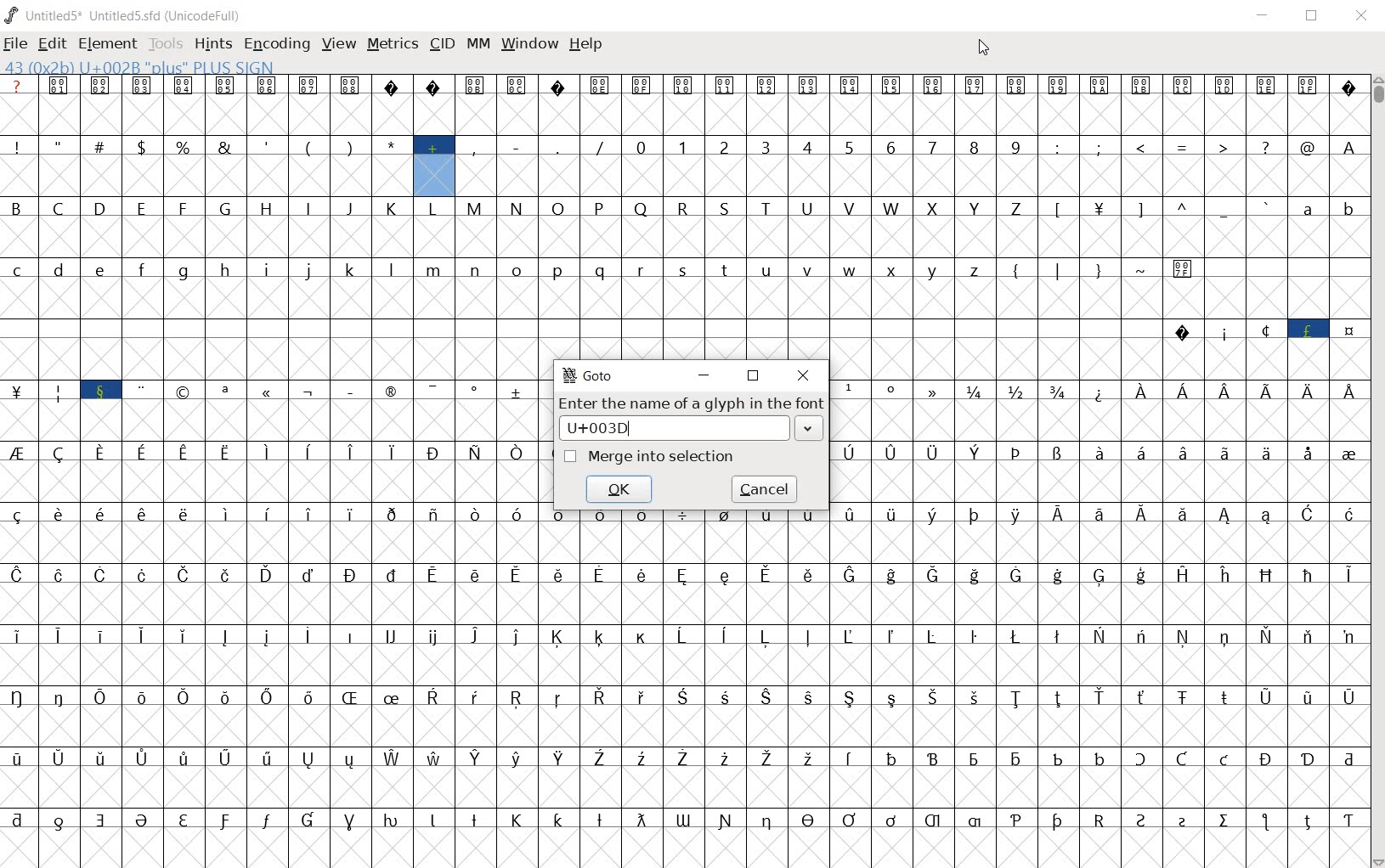 The image size is (1385, 868). Describe the element at coordinates (755, 377) in the screenshot. I see `restore down` at that location.